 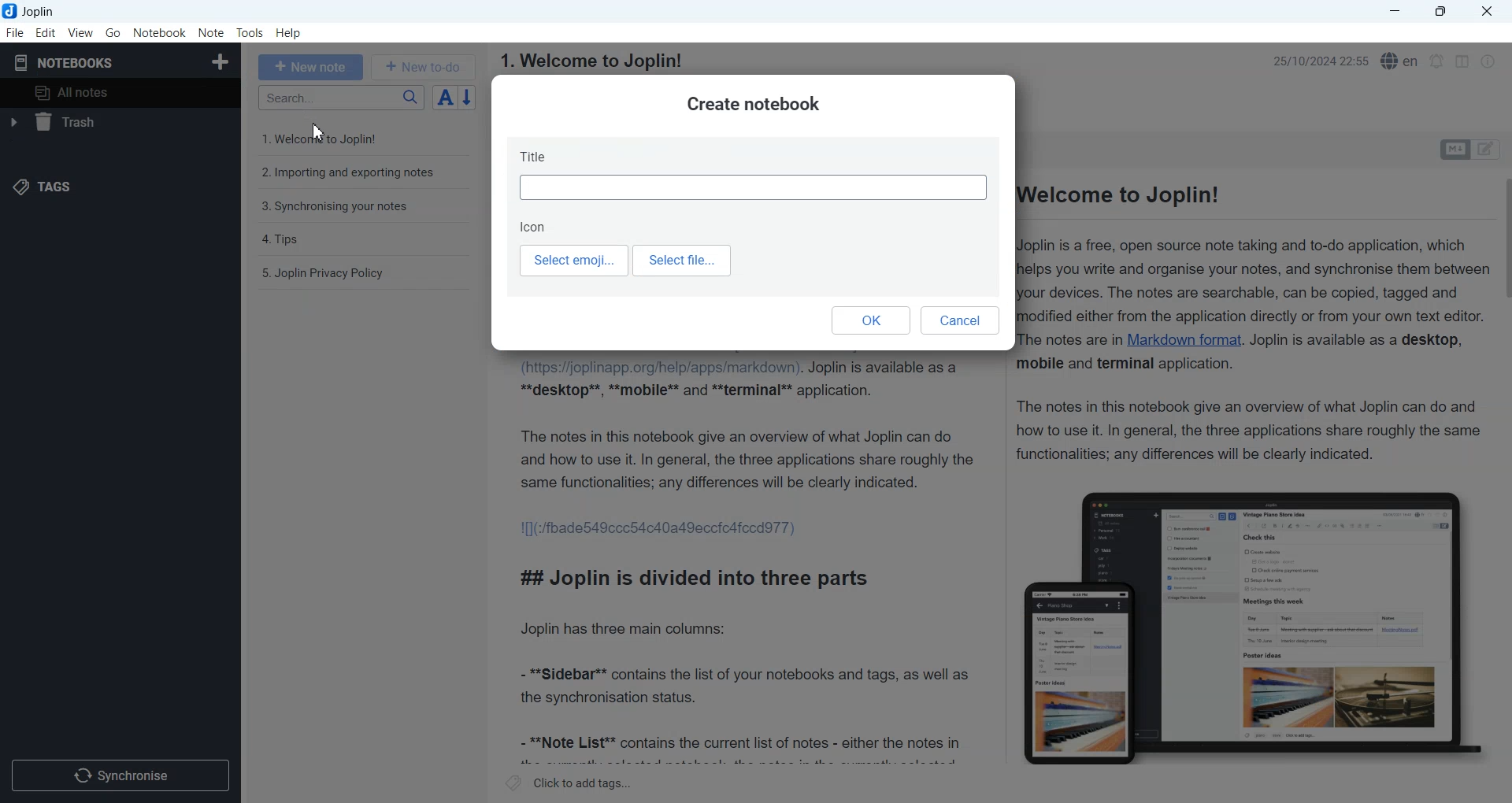 What do you see at coordinates (1254, 627) in the screenshot?
I see `Figure` at bounding box center [1254, 627].